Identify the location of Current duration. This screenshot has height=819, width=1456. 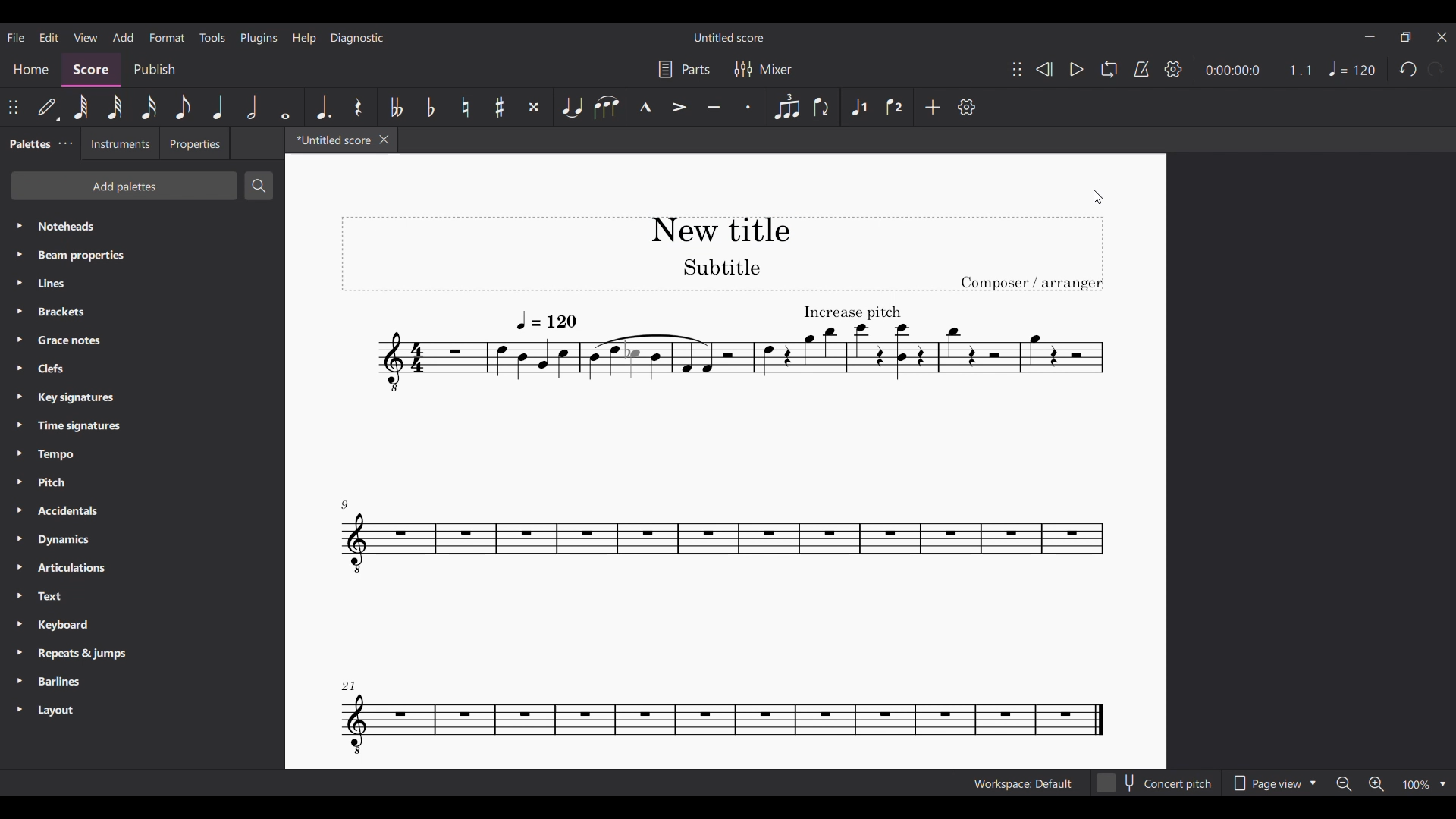
(1232, 71).